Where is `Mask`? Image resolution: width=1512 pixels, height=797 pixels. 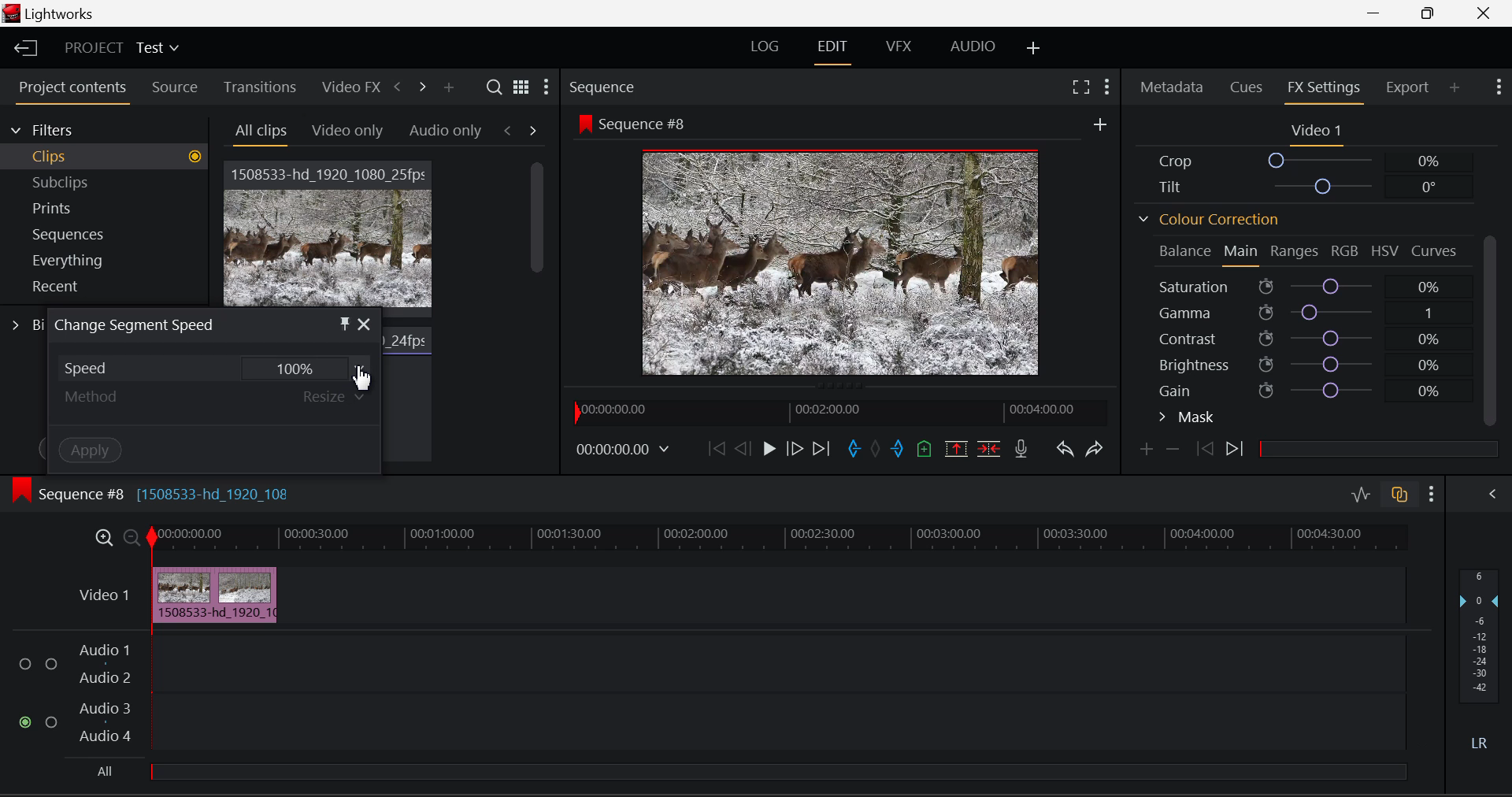
Mask is located at coordinates (1187, 417).